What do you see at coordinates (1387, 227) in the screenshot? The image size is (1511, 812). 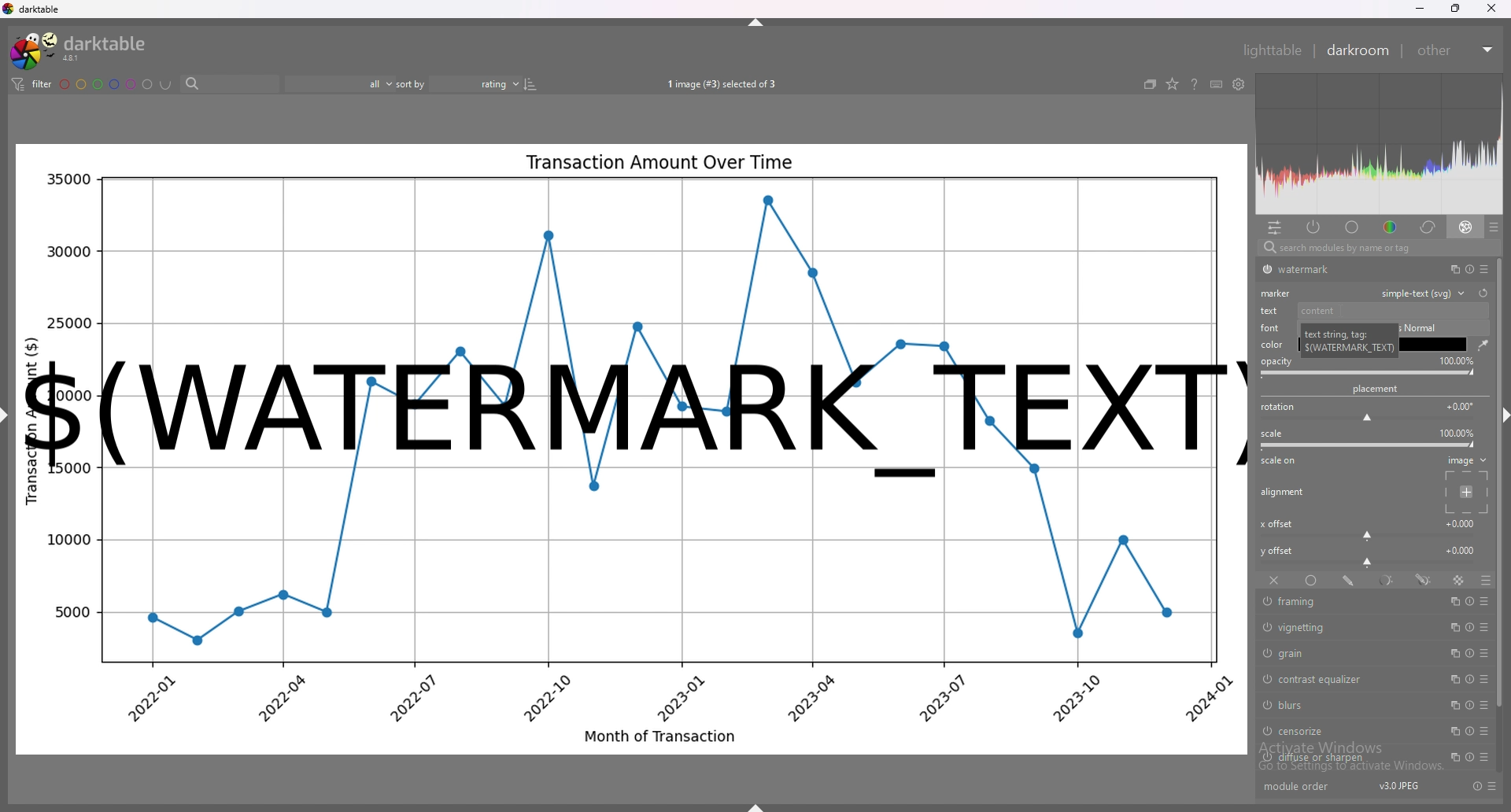 I see `color` at bounding box center [1387, 227].